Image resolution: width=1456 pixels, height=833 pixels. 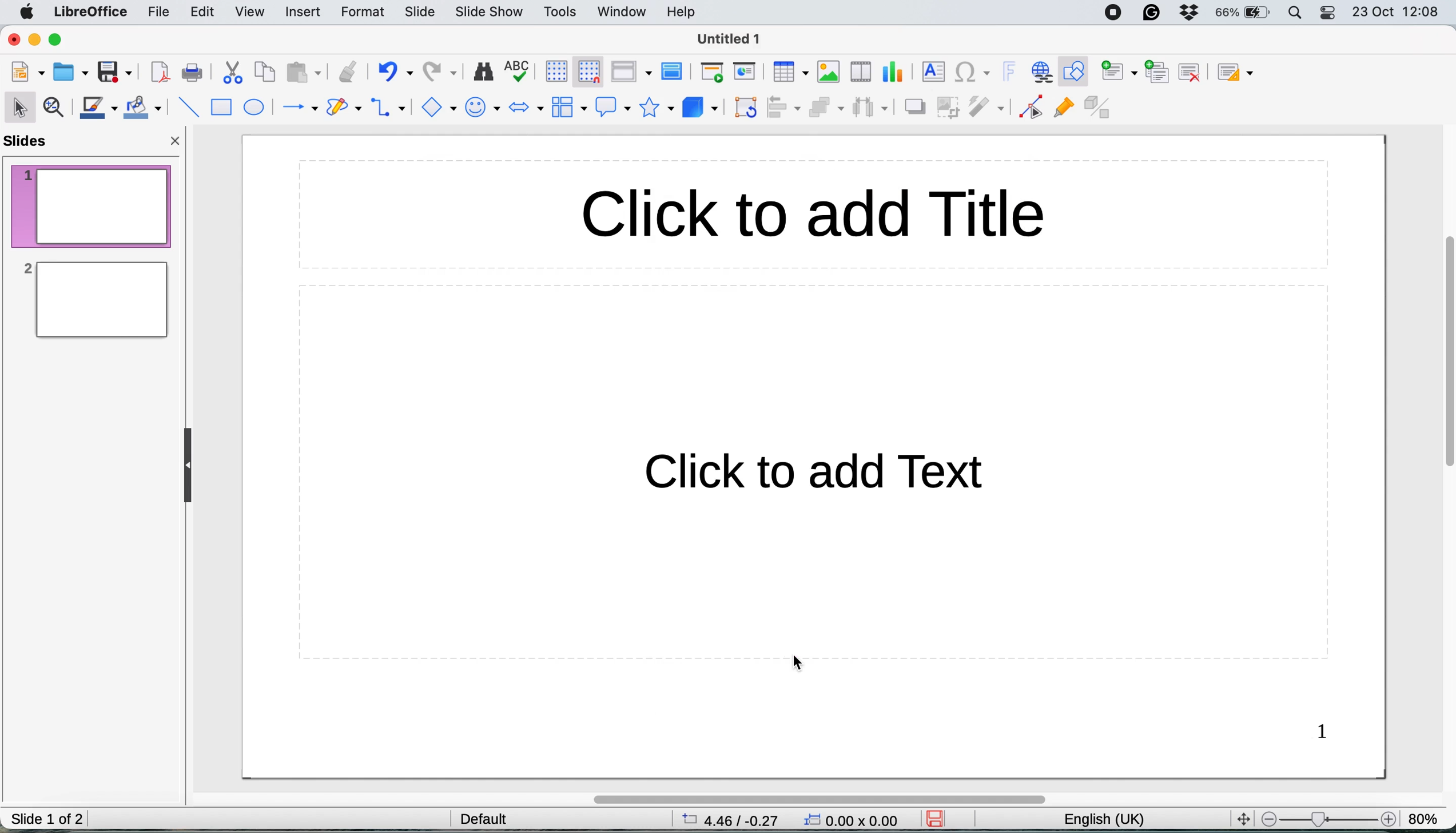 What do you see at coordinates (299, 108) in the screenshot?
I see `insert arrow lines` at bounding box center [299, 108].